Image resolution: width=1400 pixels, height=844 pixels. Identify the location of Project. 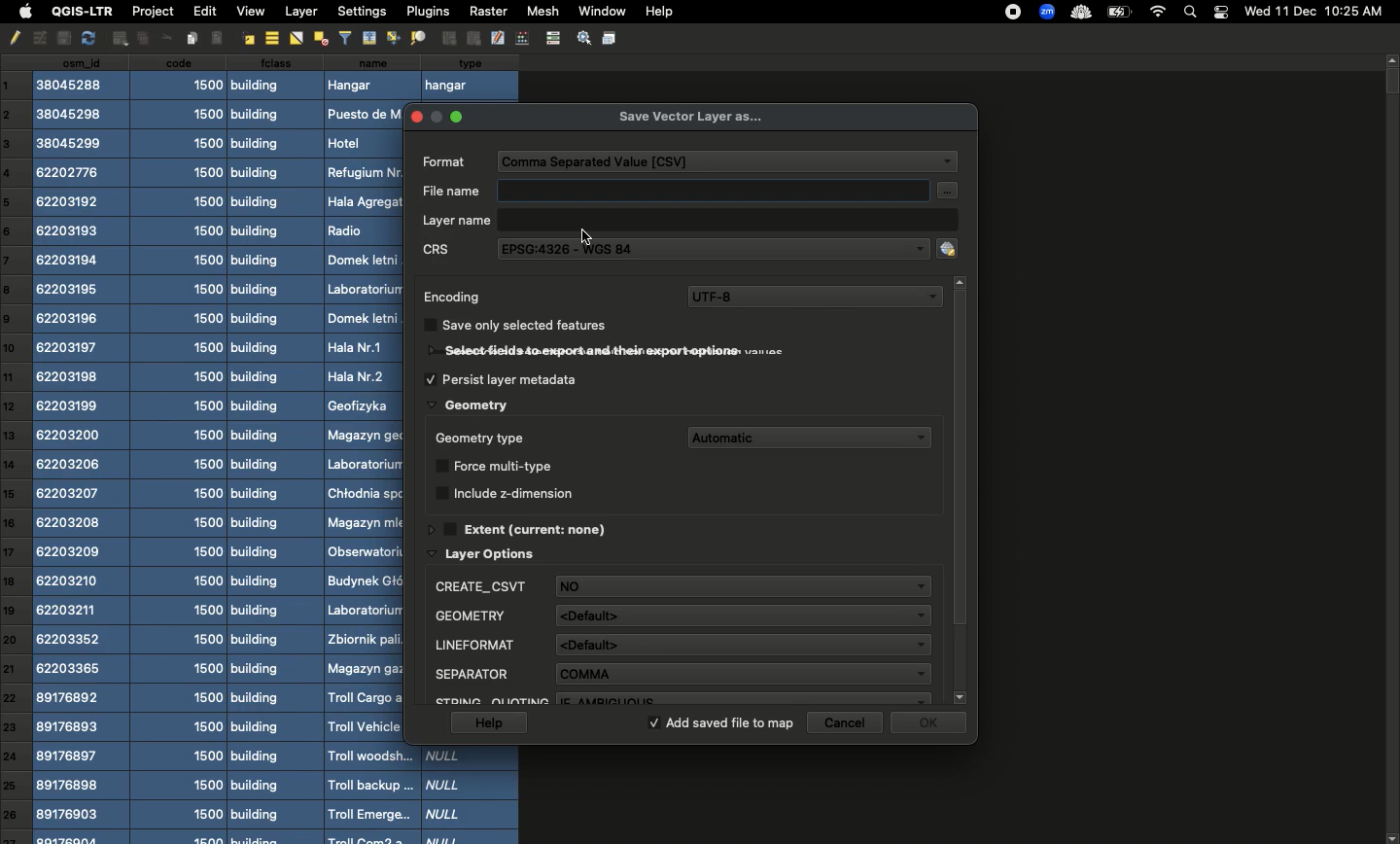
(152, 13).